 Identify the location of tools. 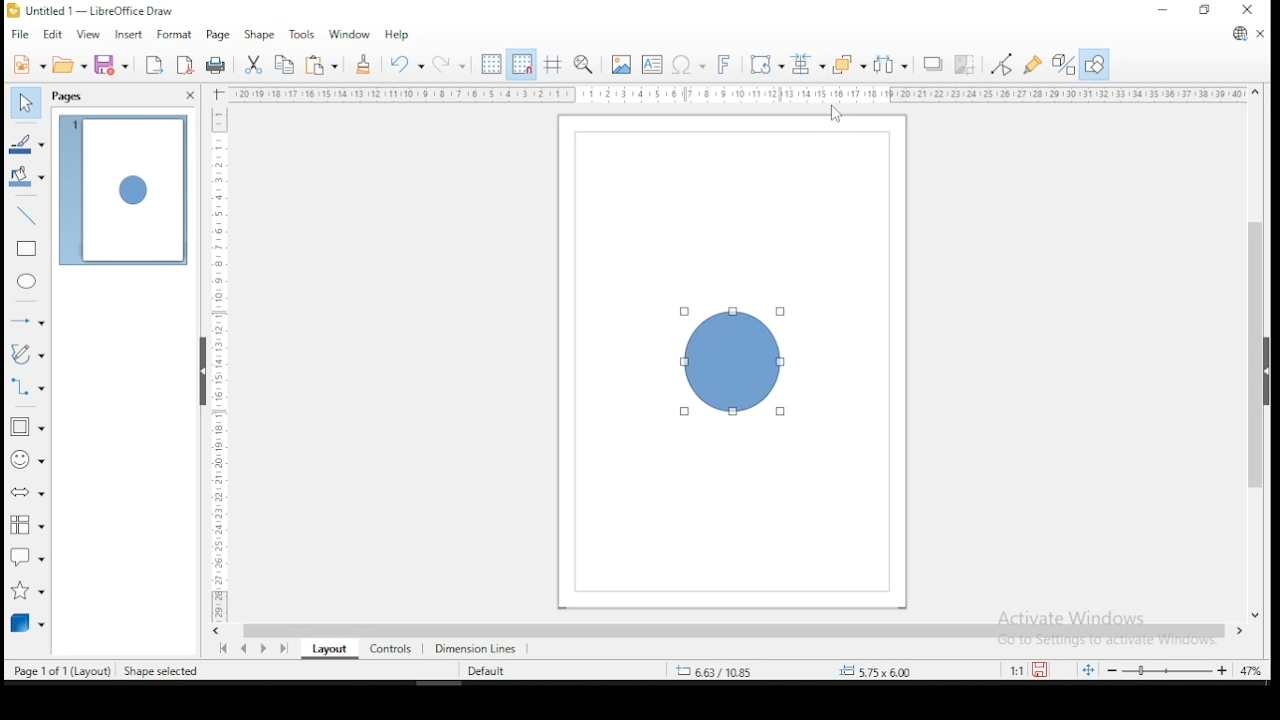
(302, 33).